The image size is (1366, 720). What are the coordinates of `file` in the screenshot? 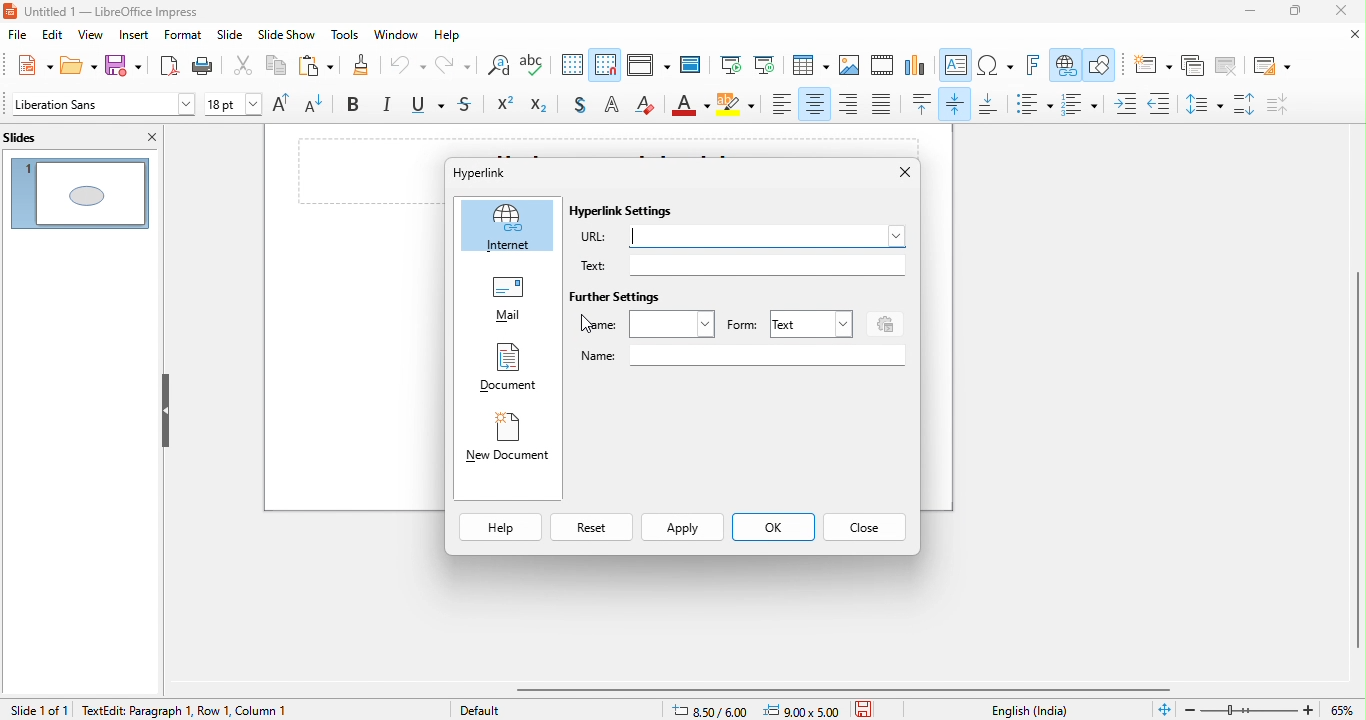 It's located at (17, 37).